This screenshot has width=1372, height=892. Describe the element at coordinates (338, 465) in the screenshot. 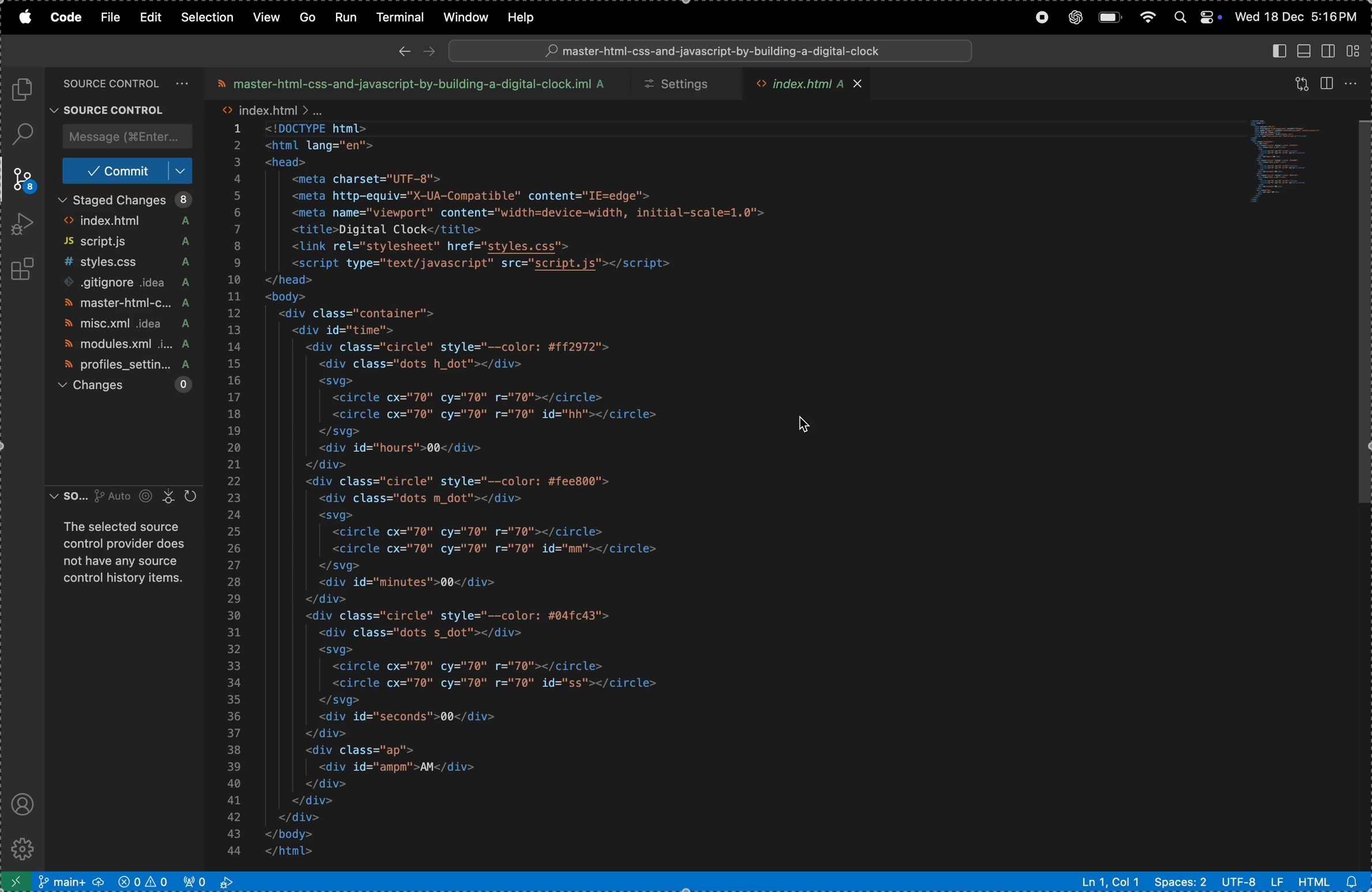

I see `</div>` at that location.